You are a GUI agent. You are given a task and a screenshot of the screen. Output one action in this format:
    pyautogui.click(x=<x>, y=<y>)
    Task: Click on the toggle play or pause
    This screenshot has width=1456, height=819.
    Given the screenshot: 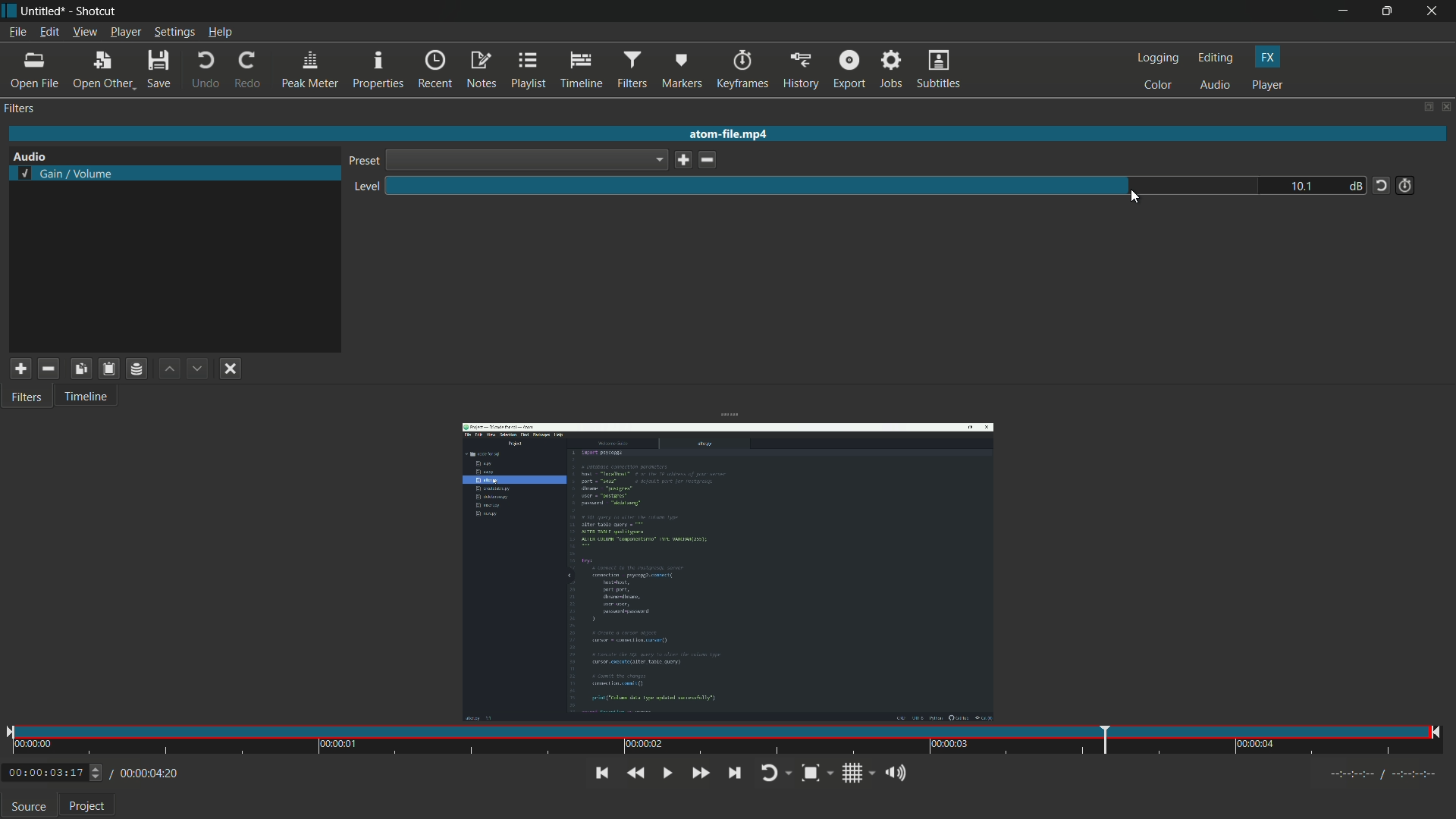 What is the action you would take?
    pyautogui.click(x=667, y=773)
    